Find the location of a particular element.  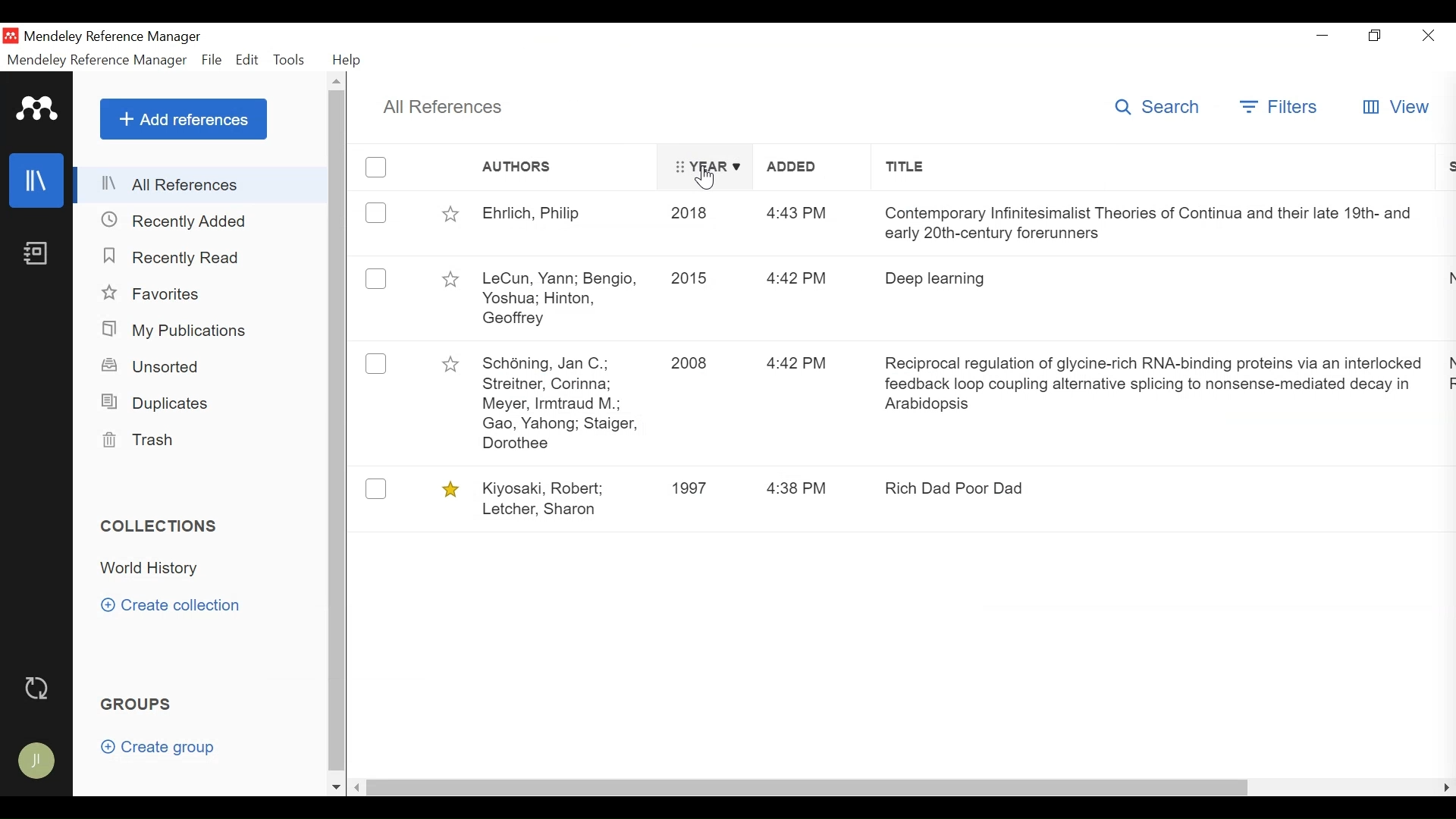

(un)Select Favorites is located at coordinates (450, 489).